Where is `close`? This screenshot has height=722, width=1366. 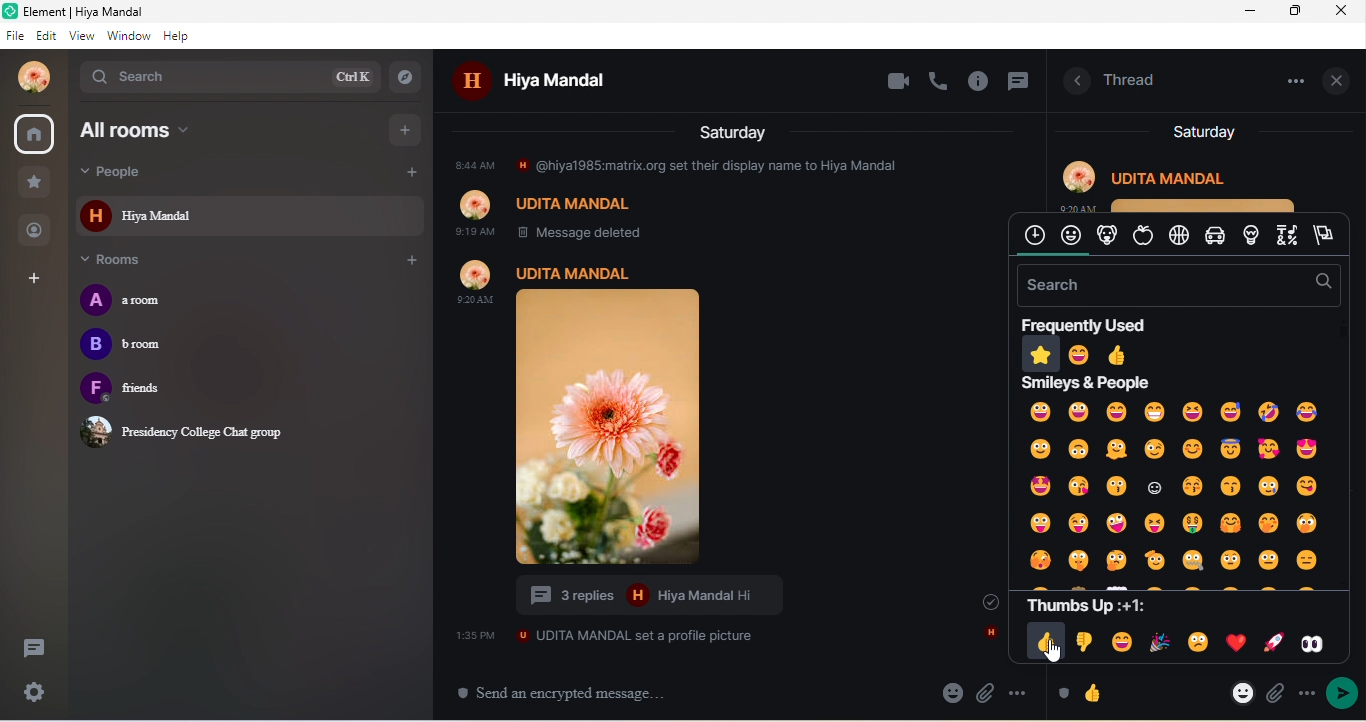
close is located at coordinates (1345, 11).